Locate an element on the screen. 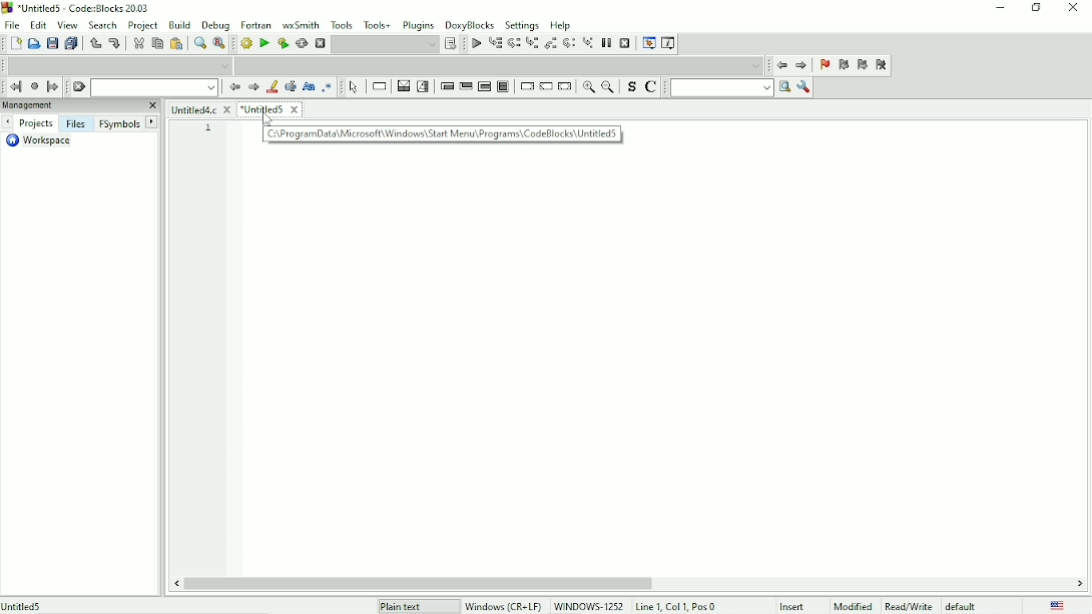 This screenshot has width=1092, height=614. Next is located at coordinates (252, 87).